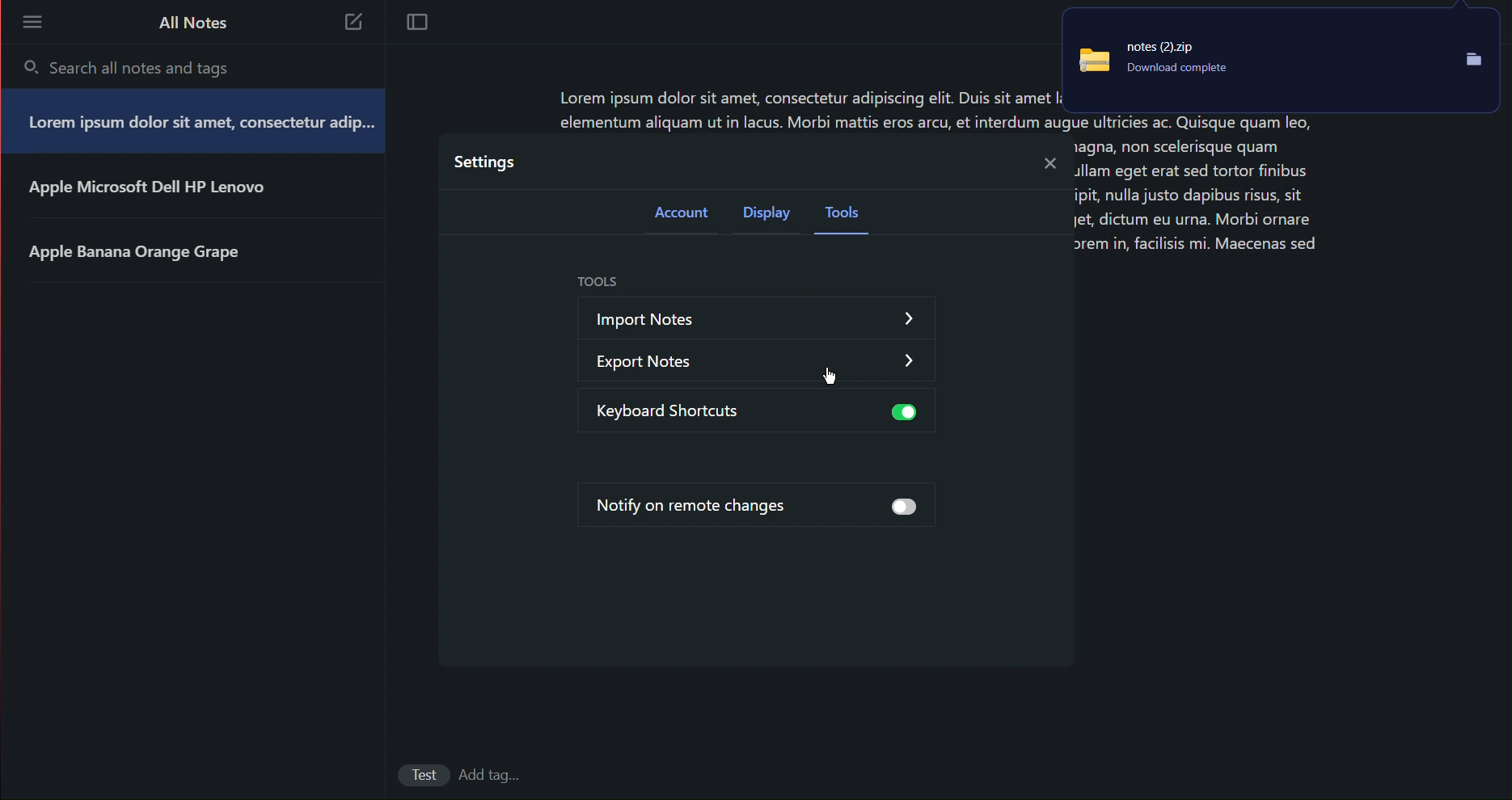 The width and height of the screenshot is (1512, 800). I want to click on add Tags, so click(498, 776).